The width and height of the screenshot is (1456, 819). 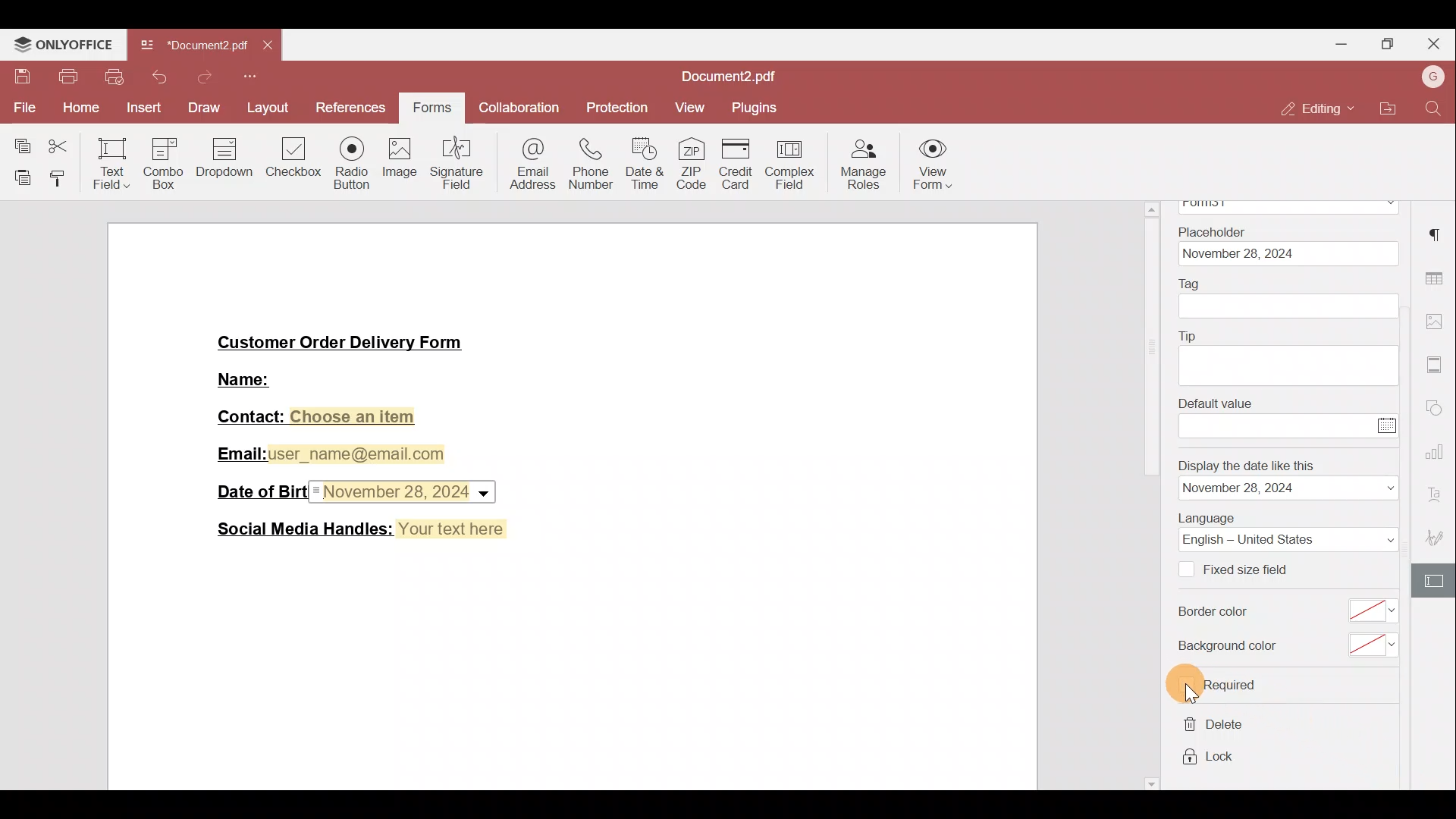 What do you see at coordinates (1217, 403) in the screenshot?
I see `Default value` at bounding box center [1217, 403].